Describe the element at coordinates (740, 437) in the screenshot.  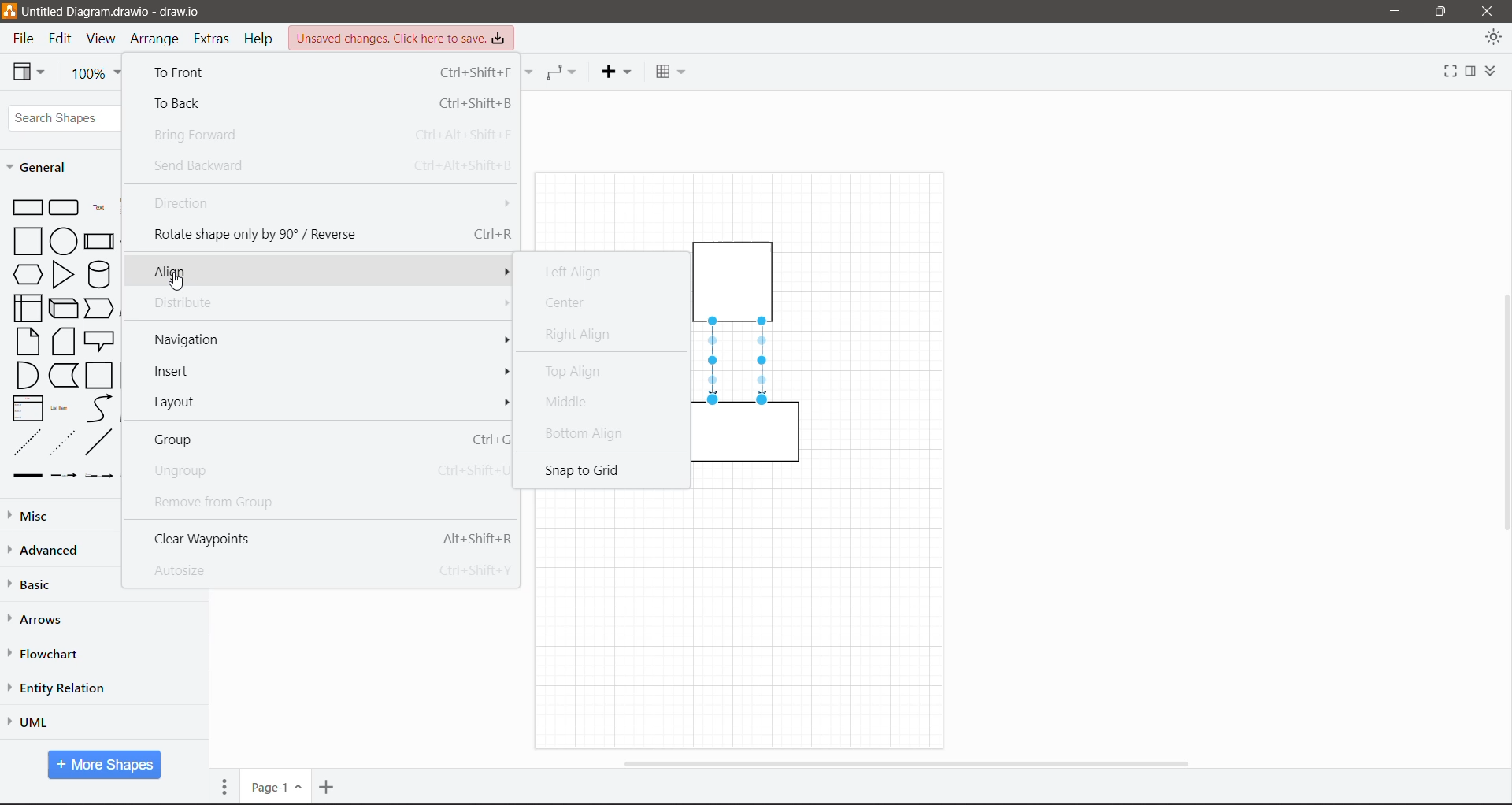
I see `container` at that location.